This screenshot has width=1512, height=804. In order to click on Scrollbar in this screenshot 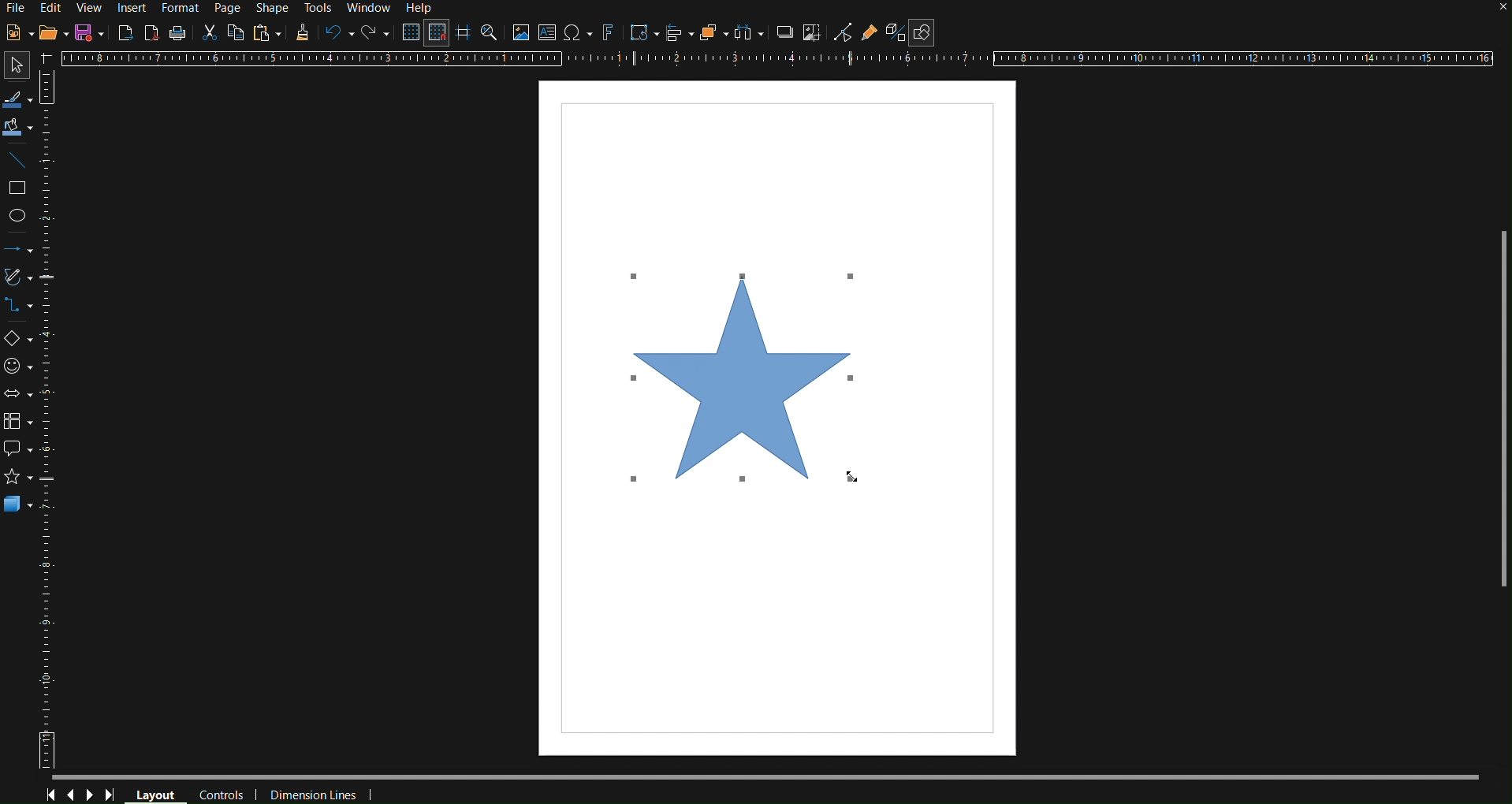, I will do `click(1494, 400)`.